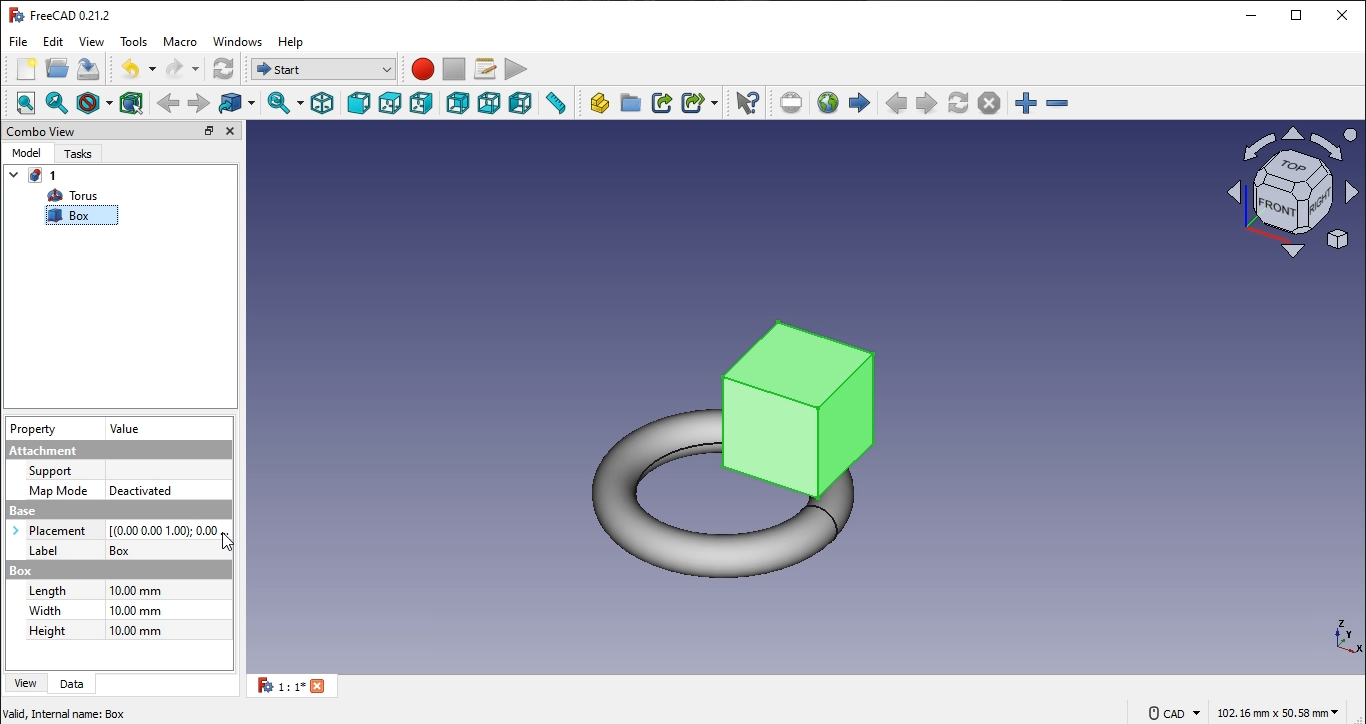 Image resolution: width=1366 pixels, height=724 pixels. I want to click on valid Internal name: Box, so click(64, 712).